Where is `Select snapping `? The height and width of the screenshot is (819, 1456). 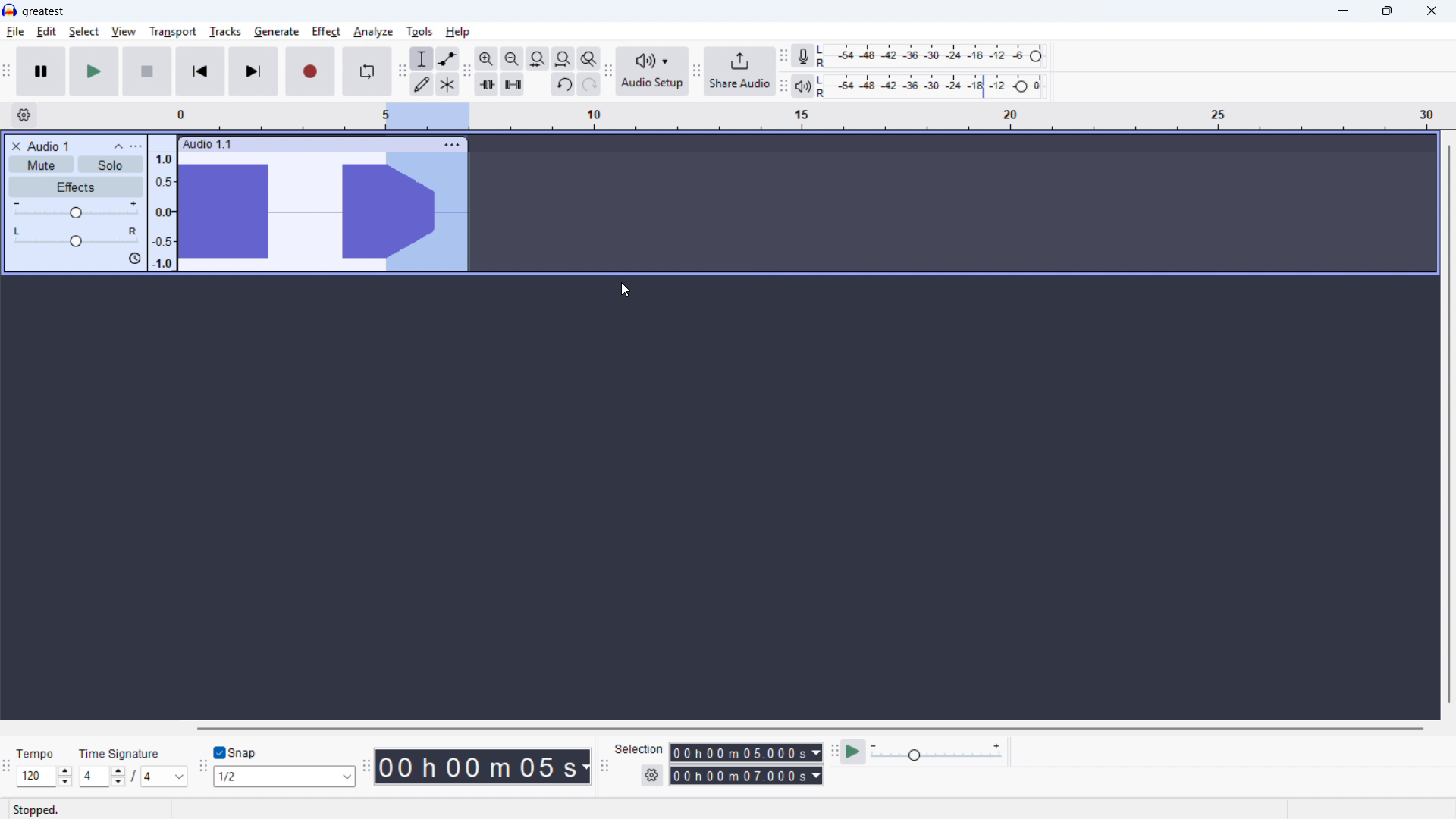 Select snapping  is located at coordinates (284, 776).